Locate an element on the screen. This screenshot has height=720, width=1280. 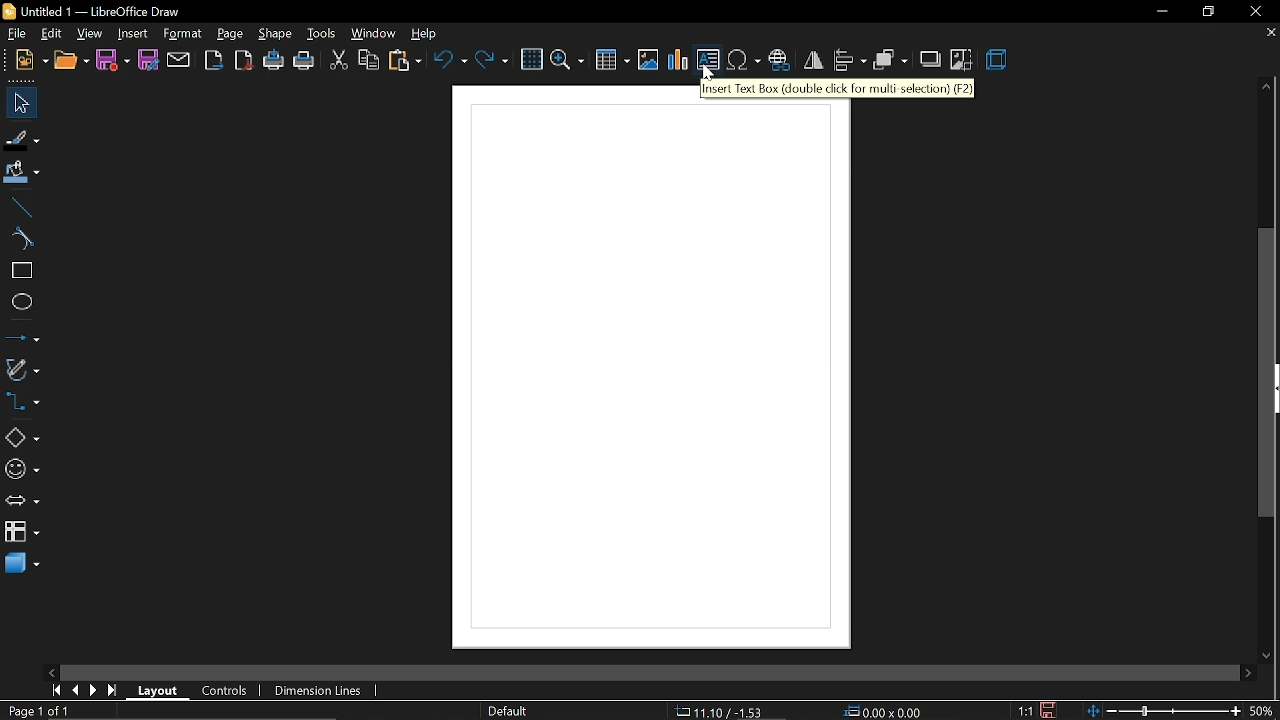
save is located at coordinates (1046, 709).